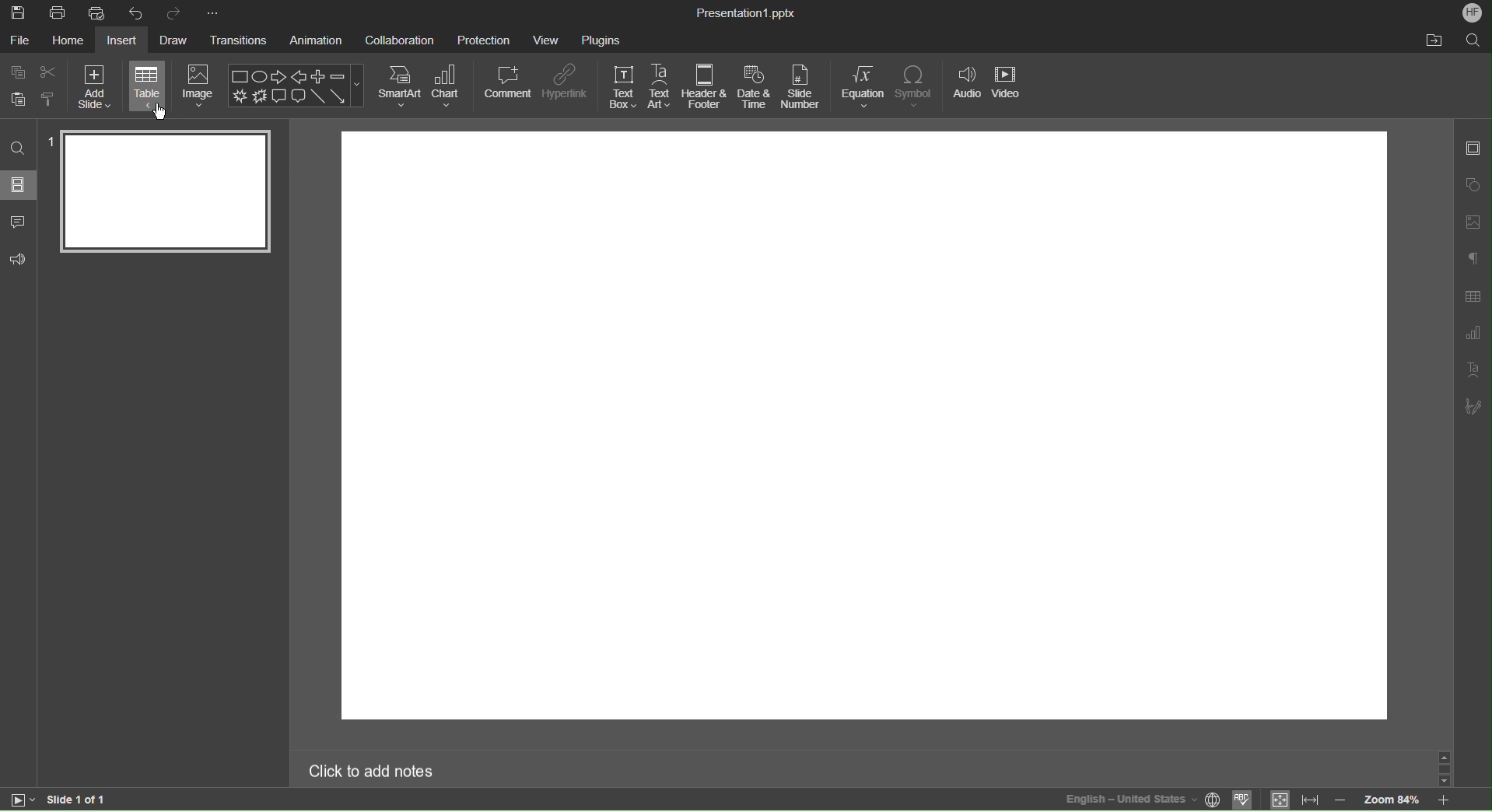  Describe the element at coordinates (546, 40) in the screenshot. I see `View` at that location.